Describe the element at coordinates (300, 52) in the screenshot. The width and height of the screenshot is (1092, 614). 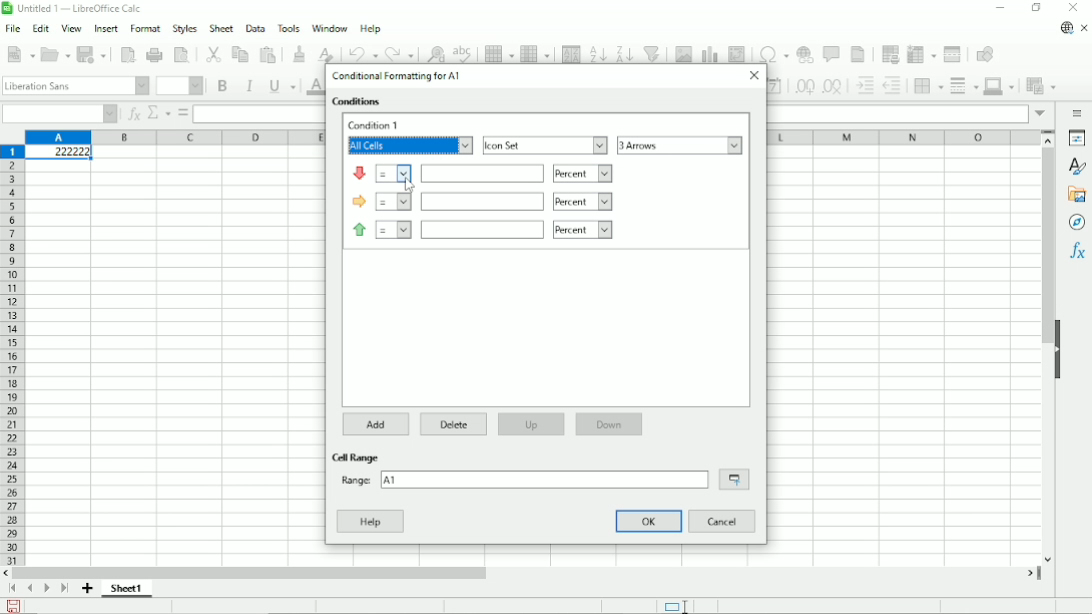
I see `Clone formatting` at that location.